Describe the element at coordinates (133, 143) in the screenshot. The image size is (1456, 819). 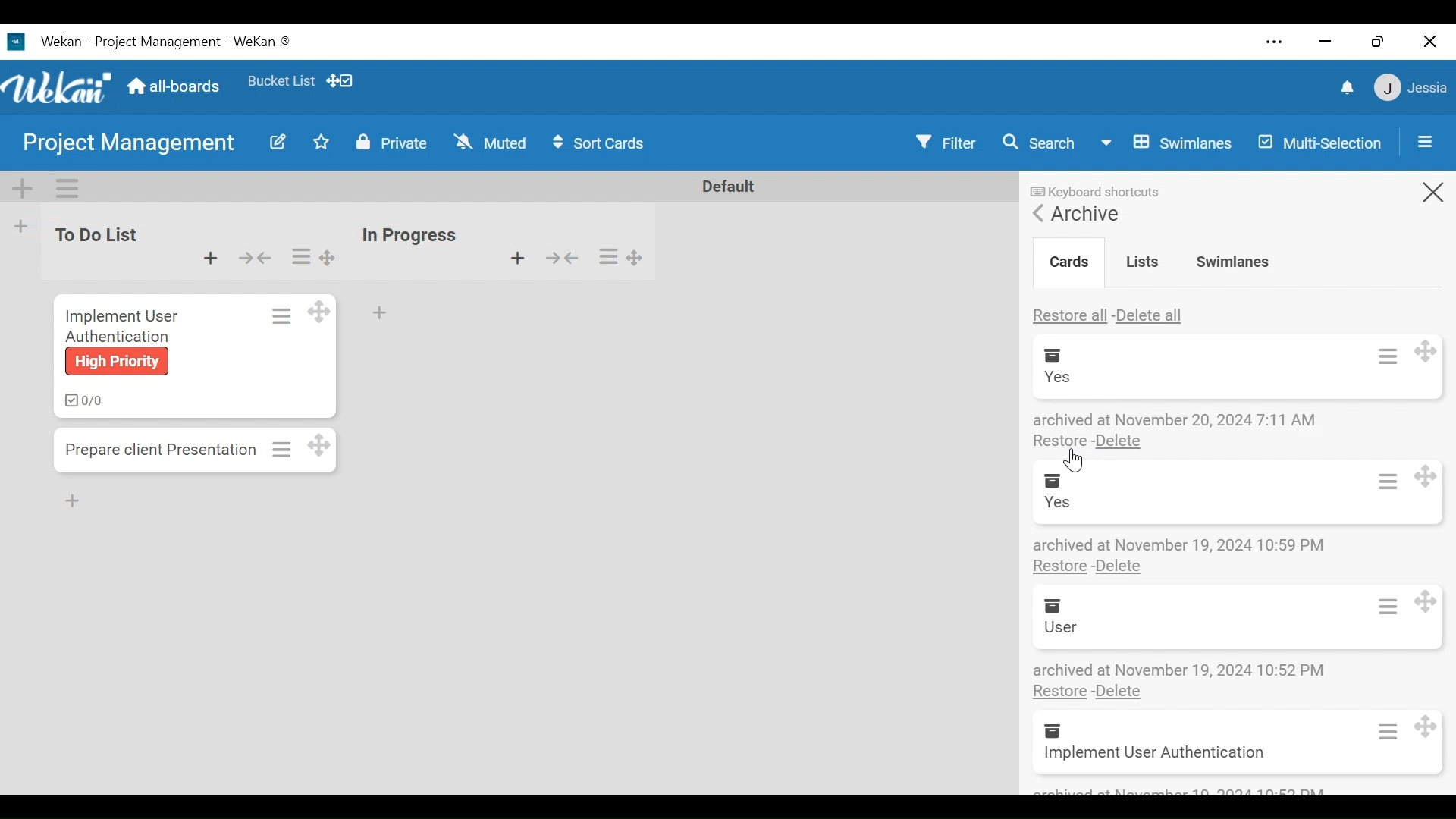
I see `Board Name` at that location.